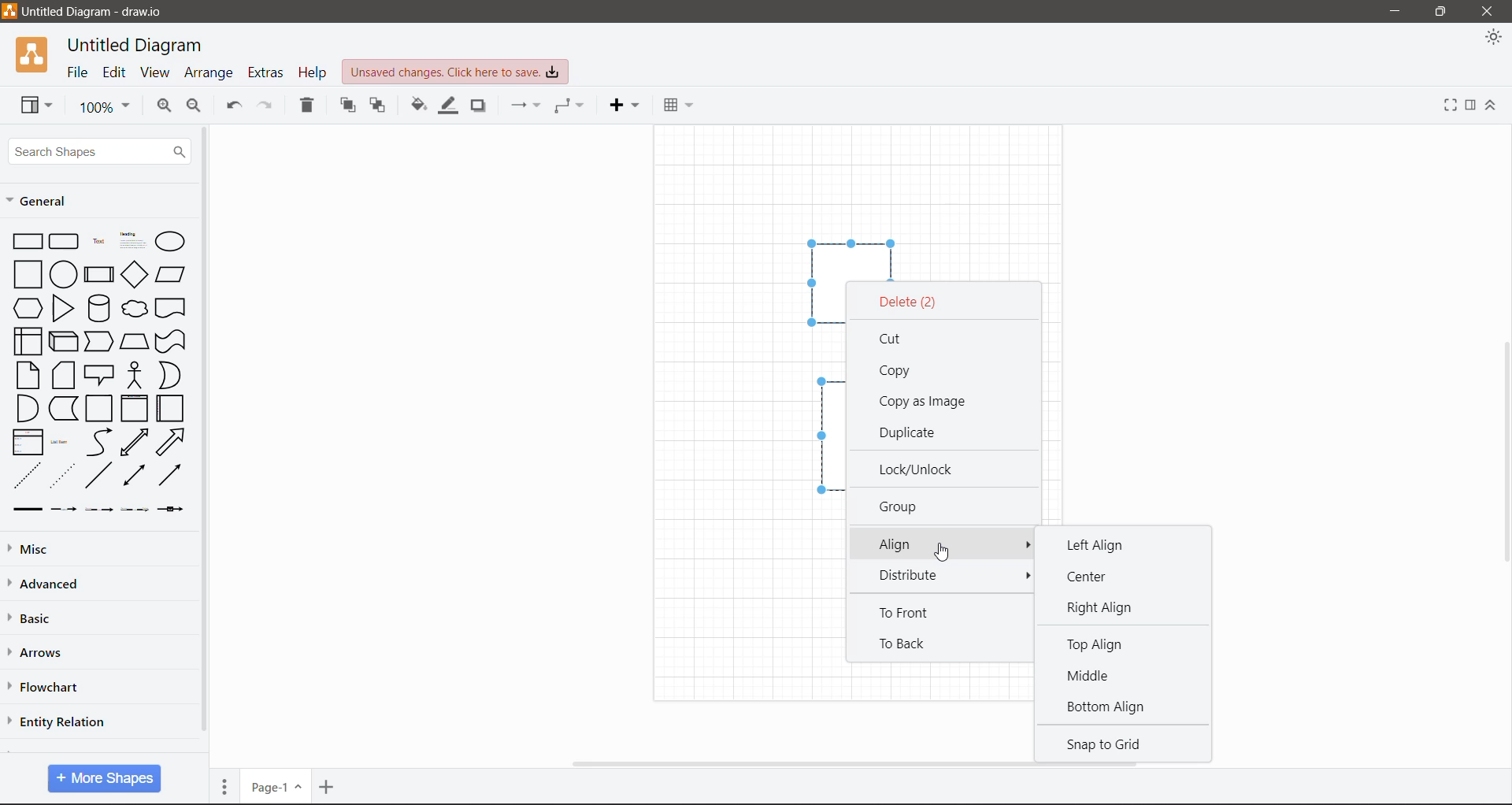  What do you see at coordinates (210, 72) in the screenshot?
I see `Arrange` at bounding box center [210, 72].